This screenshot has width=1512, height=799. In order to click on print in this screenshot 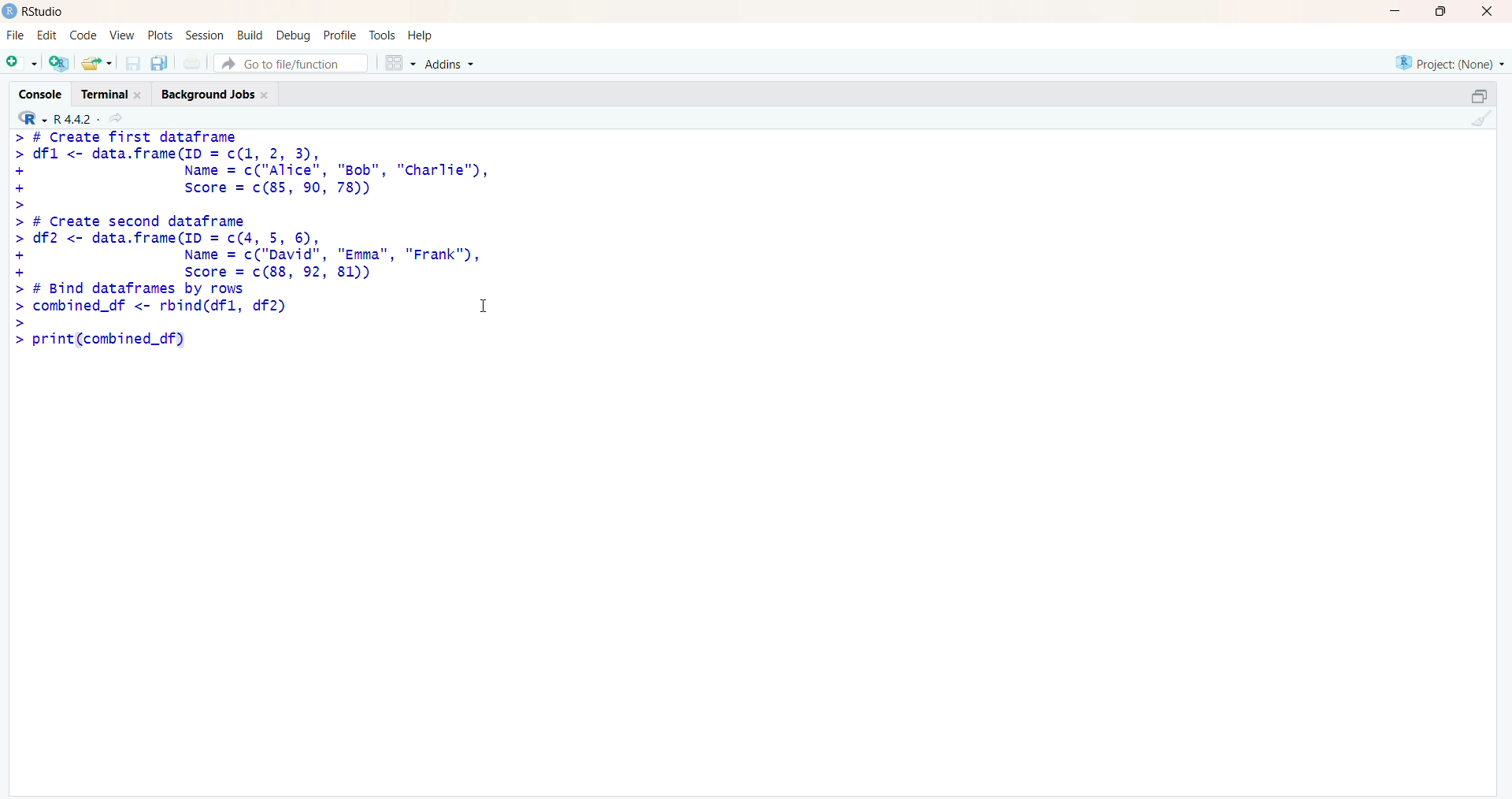, I will do `click(193, 63)`.